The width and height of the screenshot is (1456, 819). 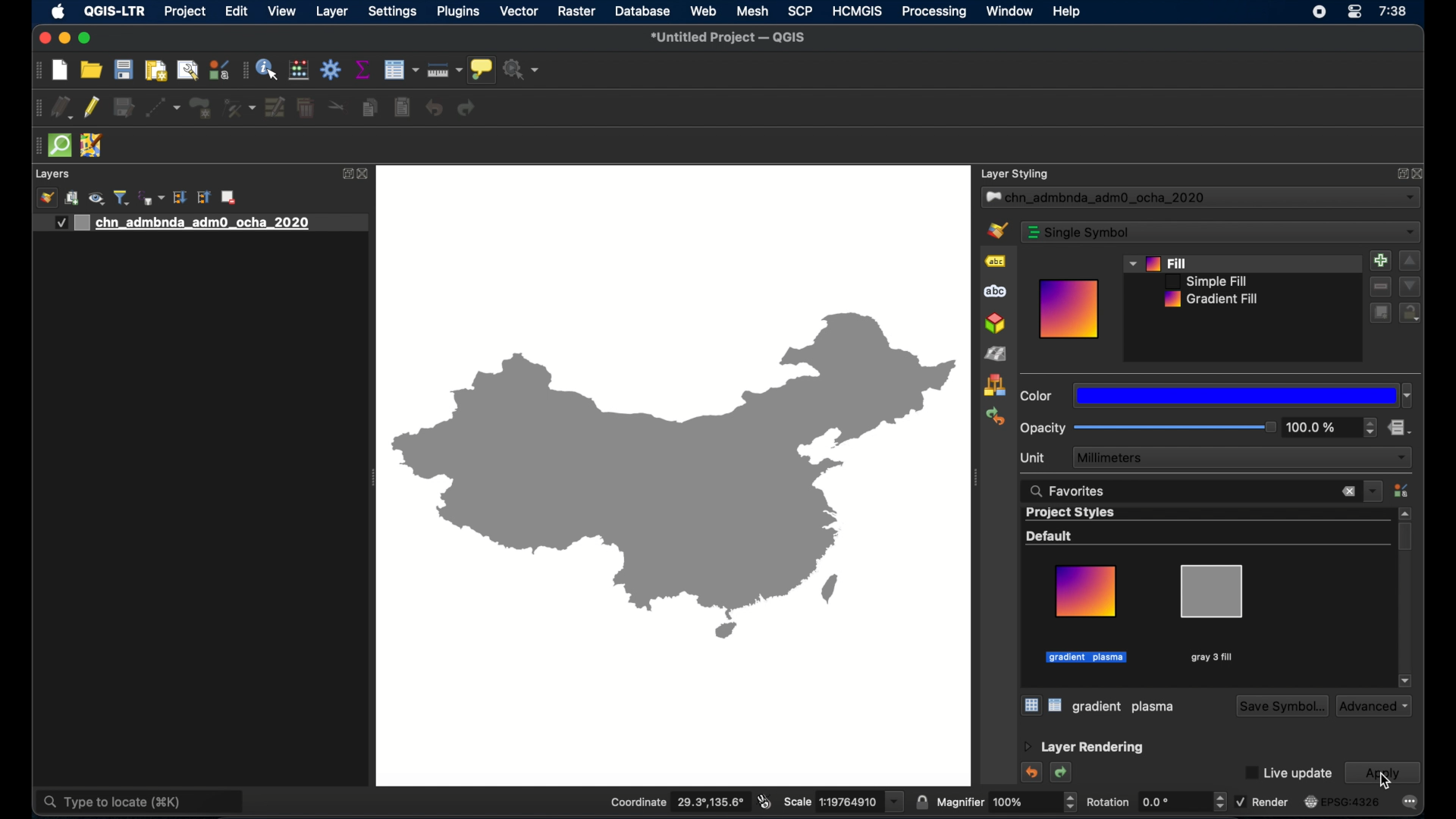 What do you see at coordinates (1083, 748) in the screenshot?
I see `layer rendering` at bounding box center [1083, 748].